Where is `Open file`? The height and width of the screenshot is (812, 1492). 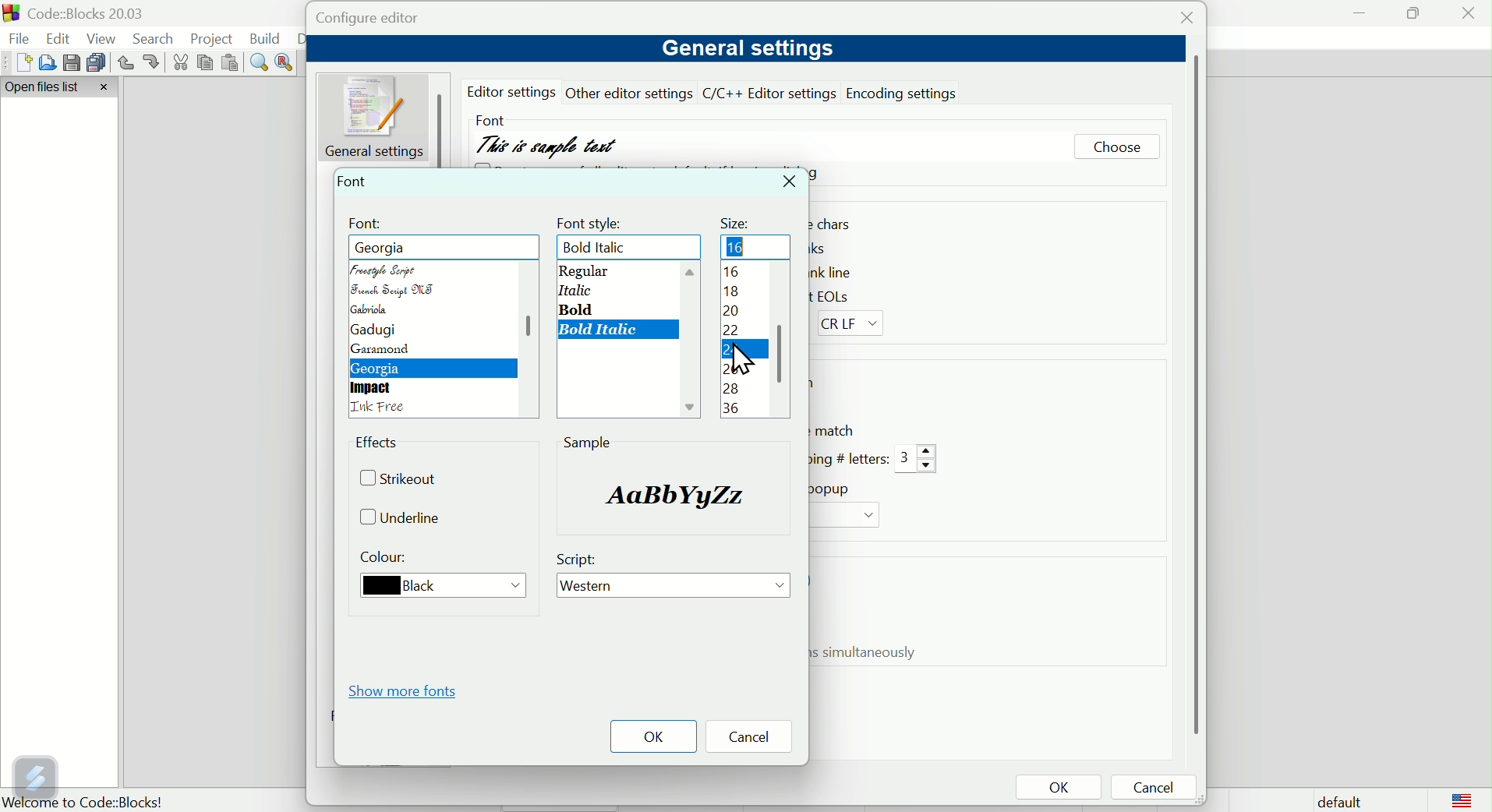
Open file is located at coordinates (44, 62).